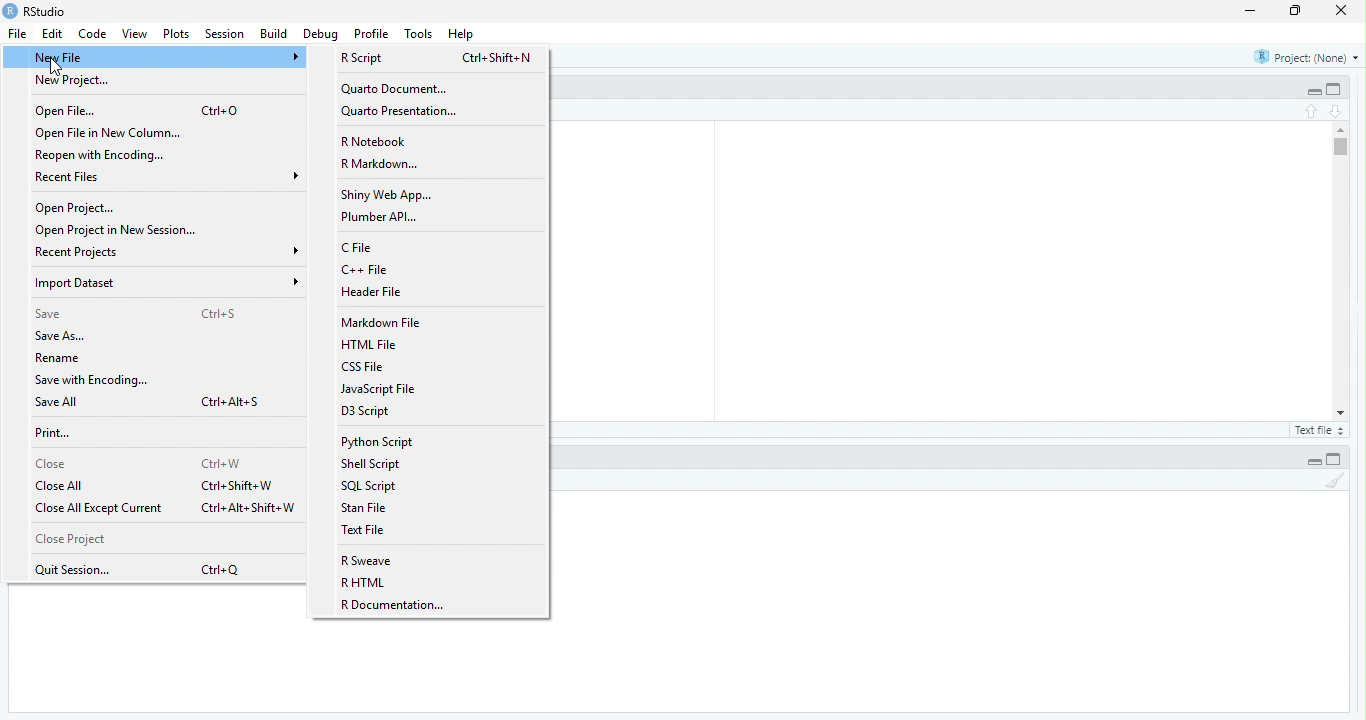  I want to click on scrollbar, so click(1342, 270).